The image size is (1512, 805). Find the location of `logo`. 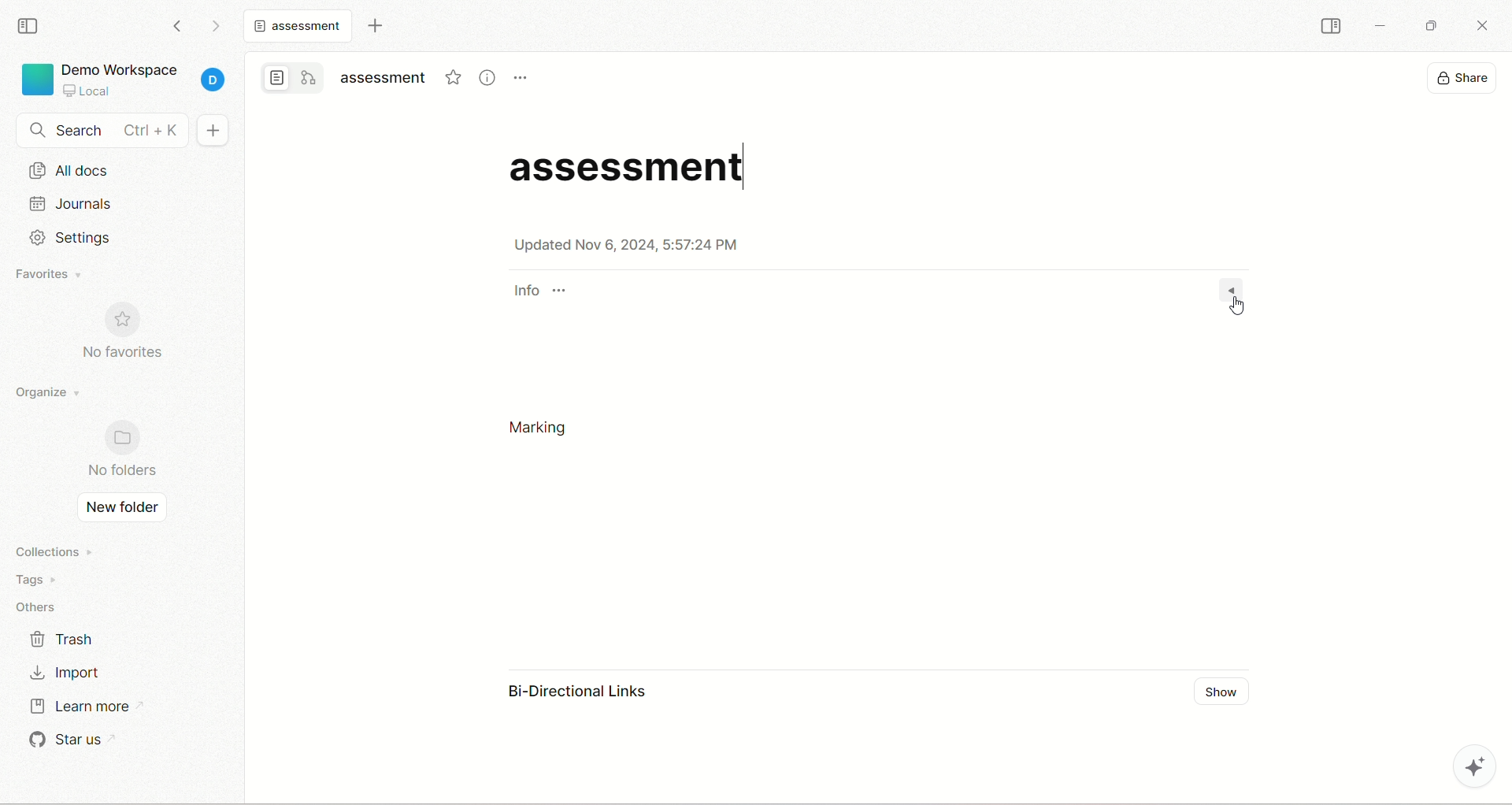

logo is located at coordinates (35, 80).